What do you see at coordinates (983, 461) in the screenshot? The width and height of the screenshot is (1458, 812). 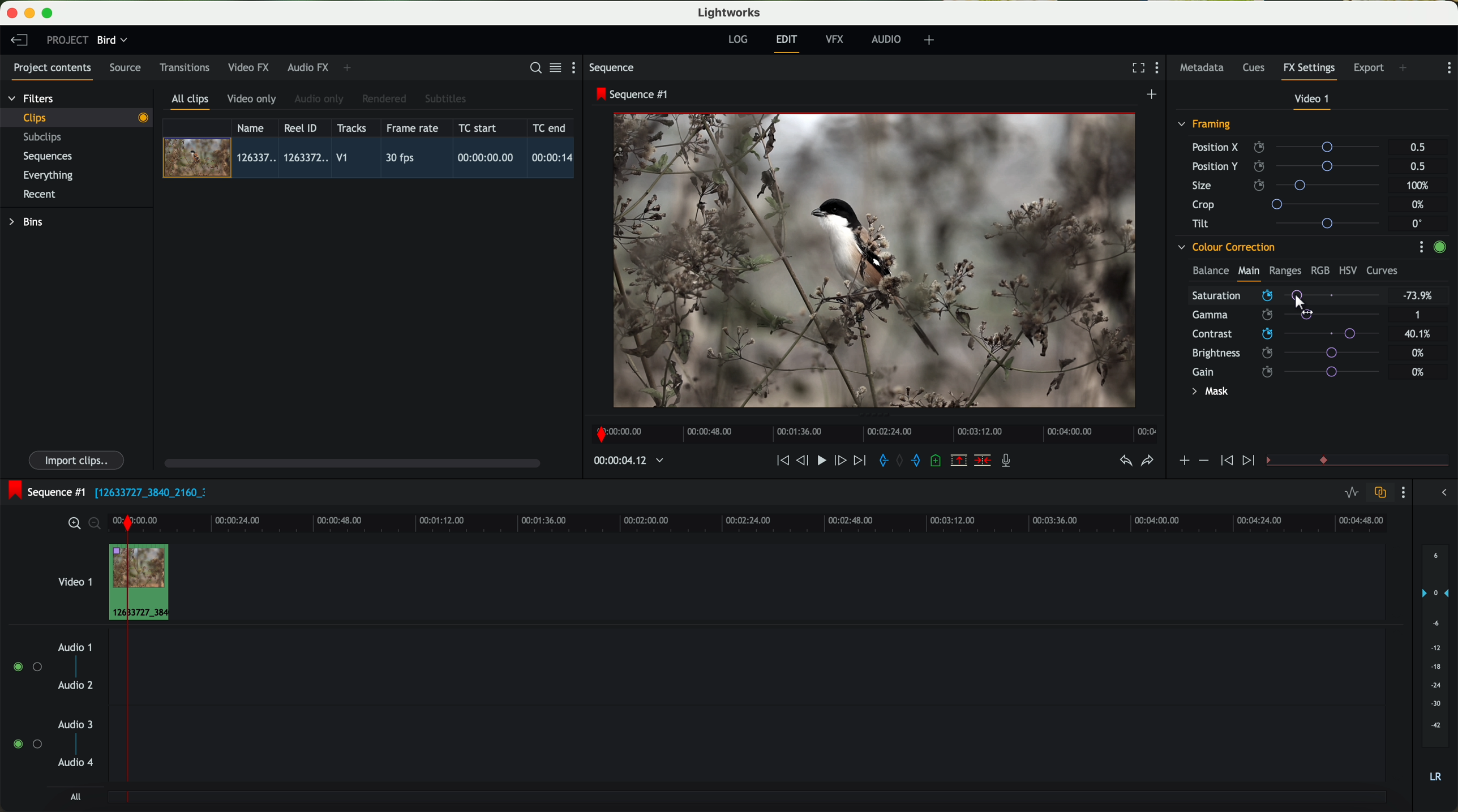 I see `delete/cut` at bounding box center [983, 461].